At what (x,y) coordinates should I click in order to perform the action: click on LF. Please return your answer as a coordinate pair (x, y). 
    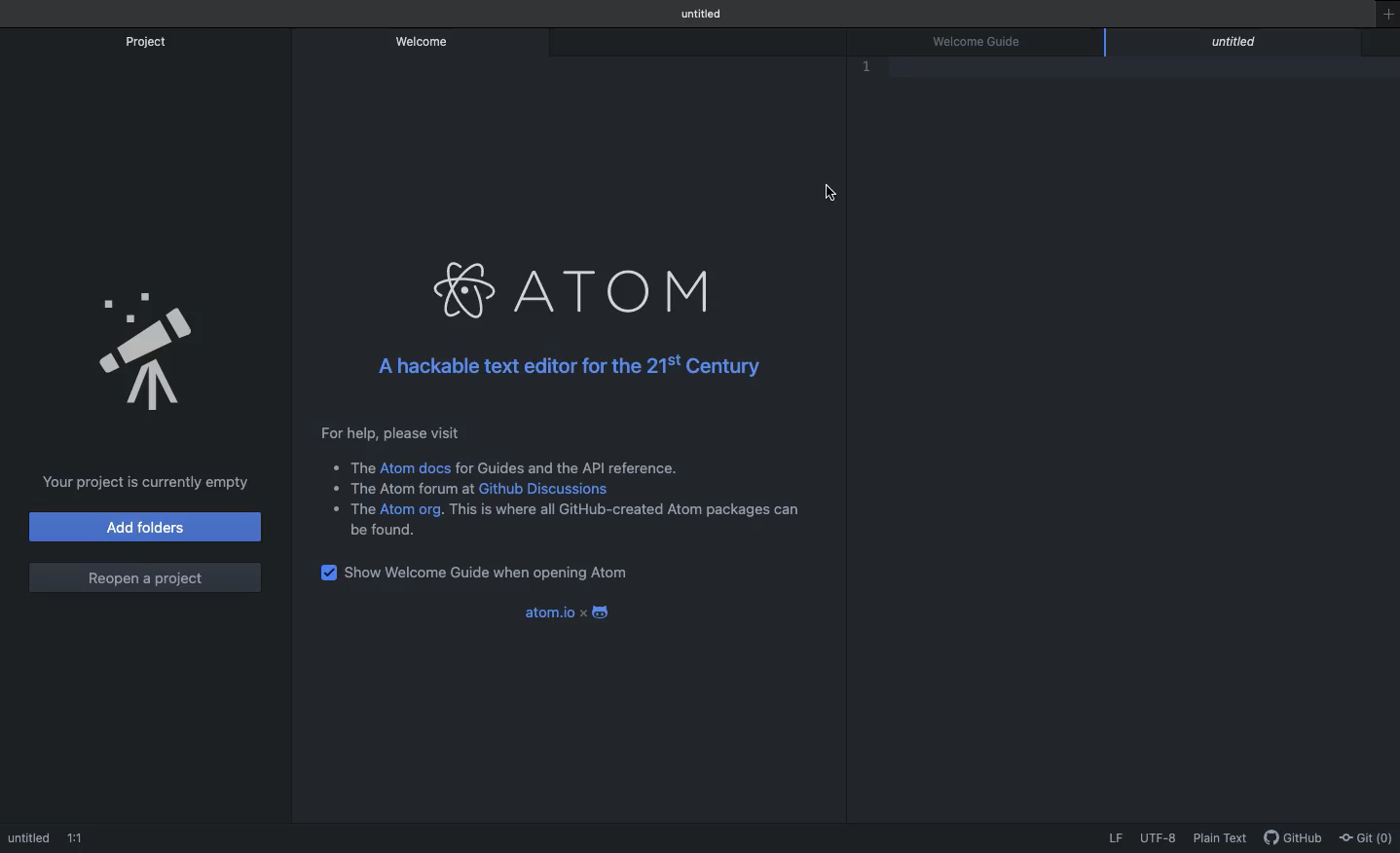
    Looking at the image, I should click on (1117, 836).